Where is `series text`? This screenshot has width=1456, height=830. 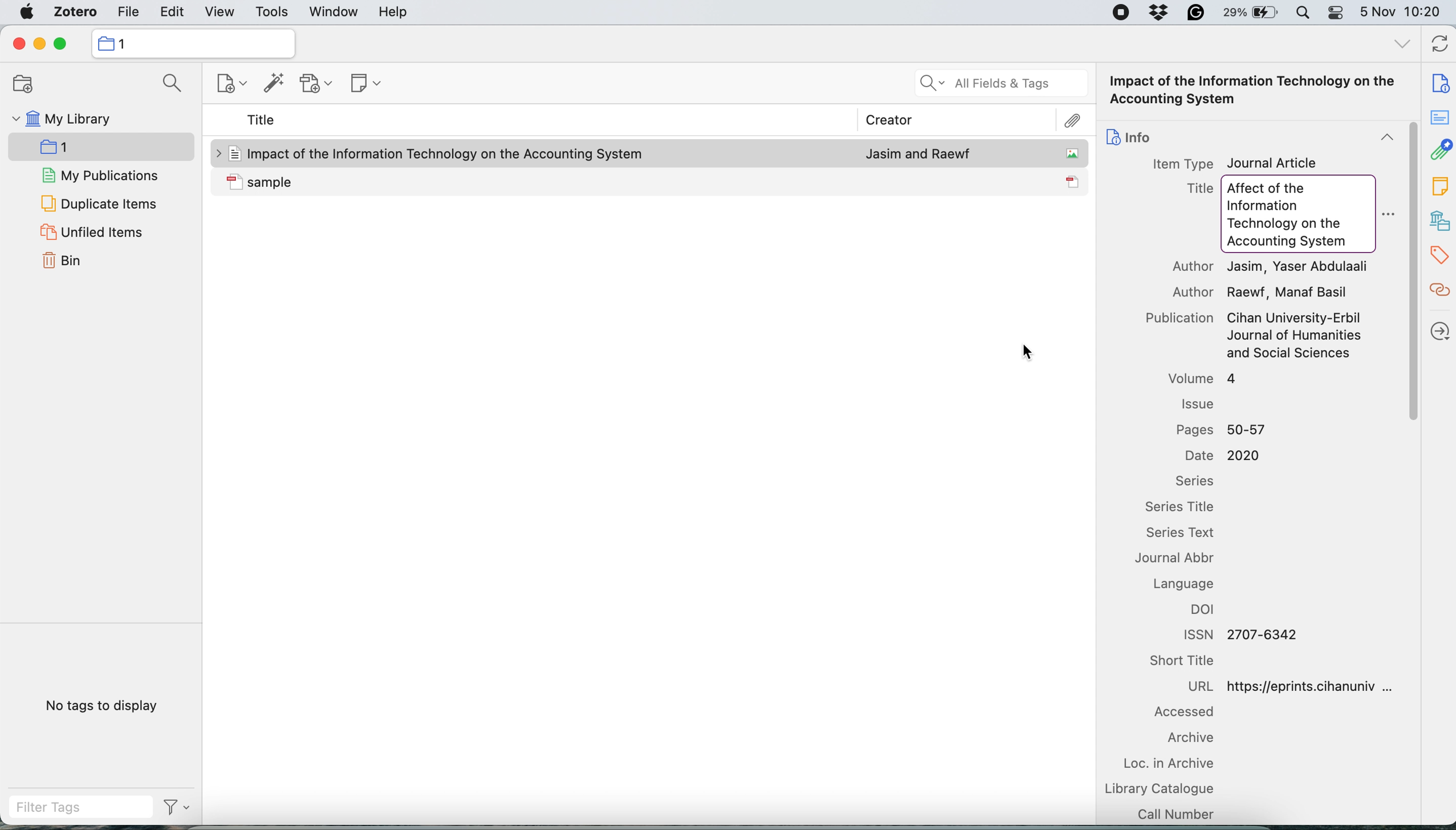
series text is located at coordinates (1187, 533).